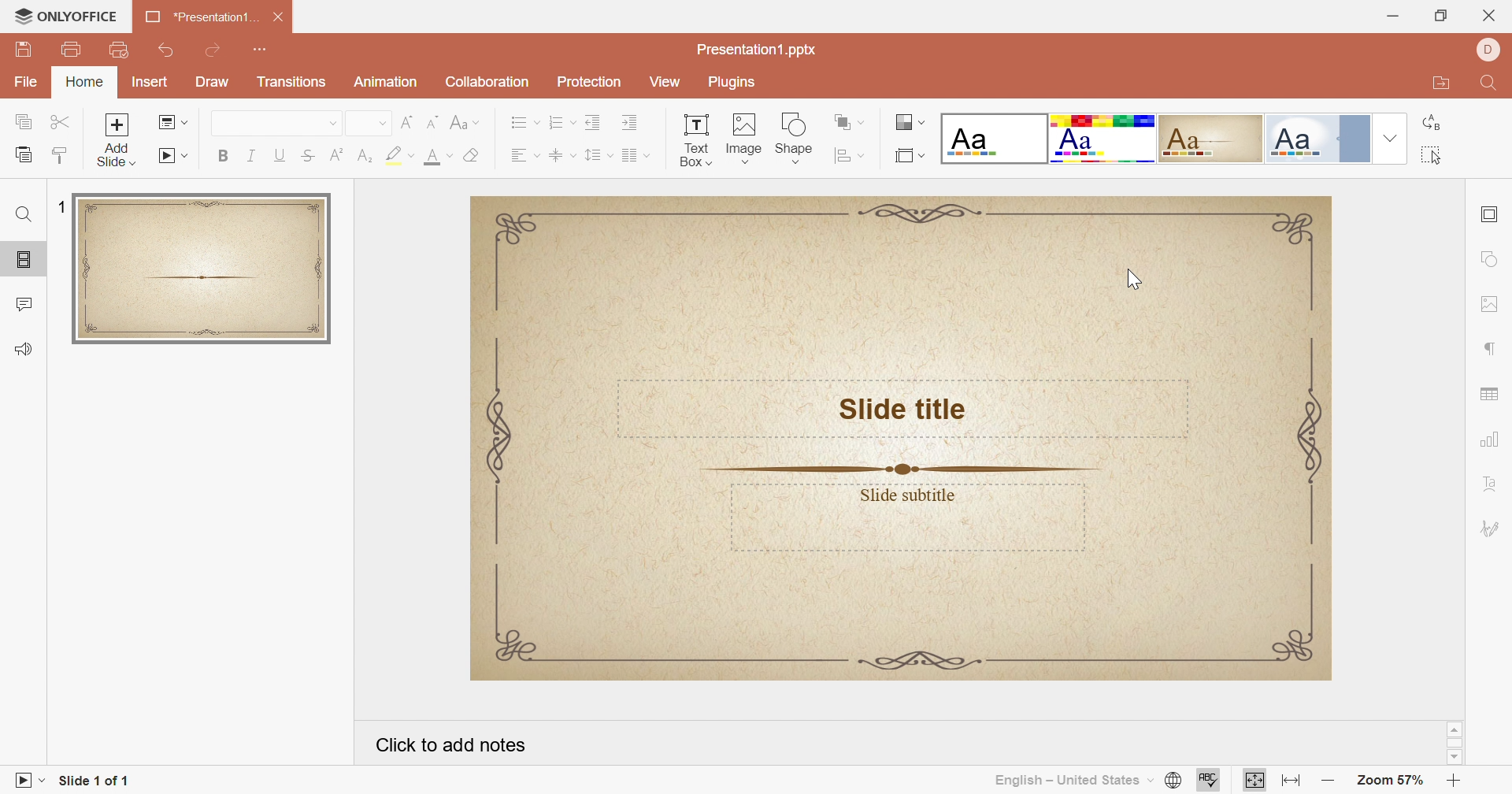 The height and width of the screenshot is (794, 1512). What do you see at coordinates (631, 122) in the screenshot?
I see `Increase Indent` at bounding box center [631, 122].